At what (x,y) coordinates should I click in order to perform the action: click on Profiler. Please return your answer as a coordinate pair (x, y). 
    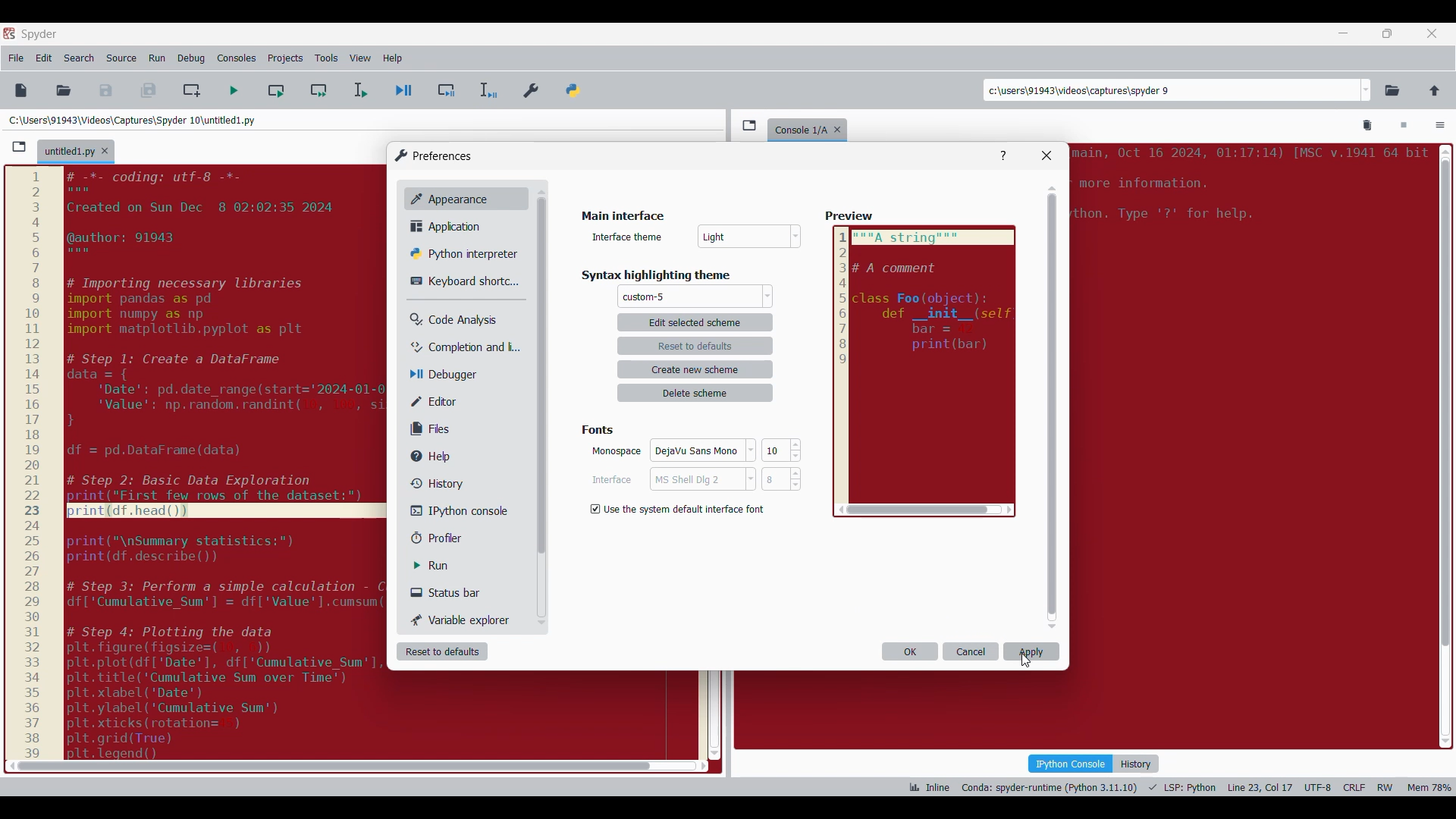
    Looking at the image, I should click on (450, 538).